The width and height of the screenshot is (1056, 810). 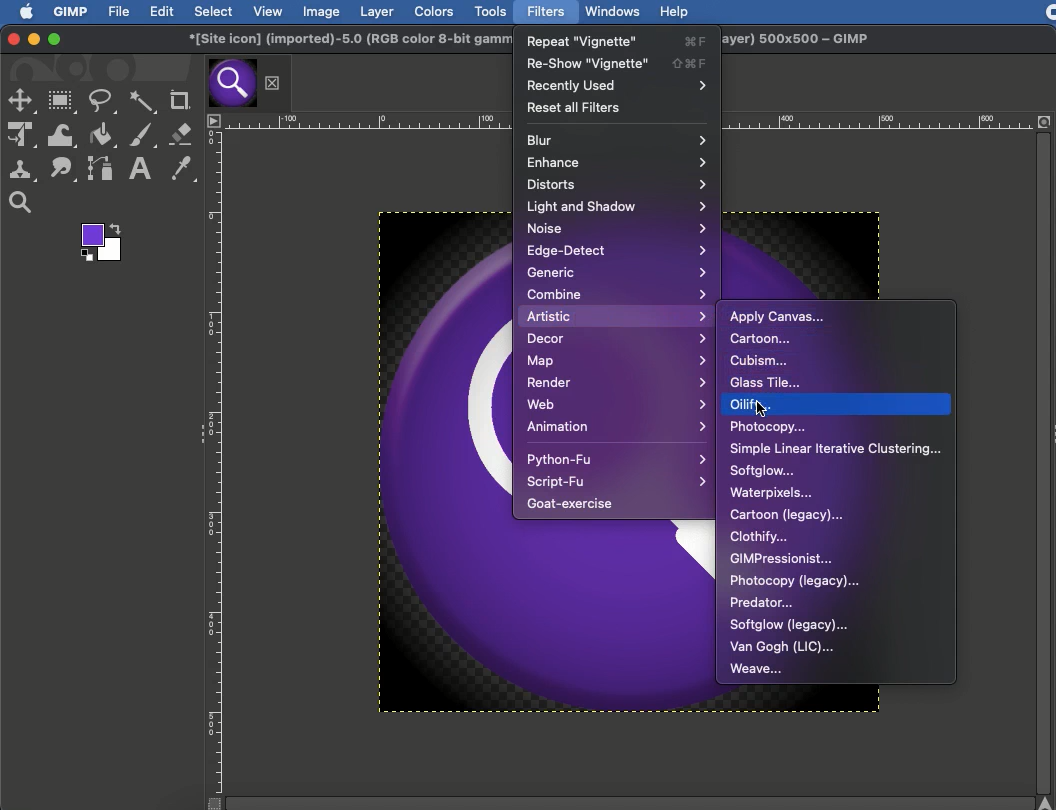 What do you see at coordinates (19, 204) in the screenshot?
I see `Magnify` at bounding box center [19, 204].